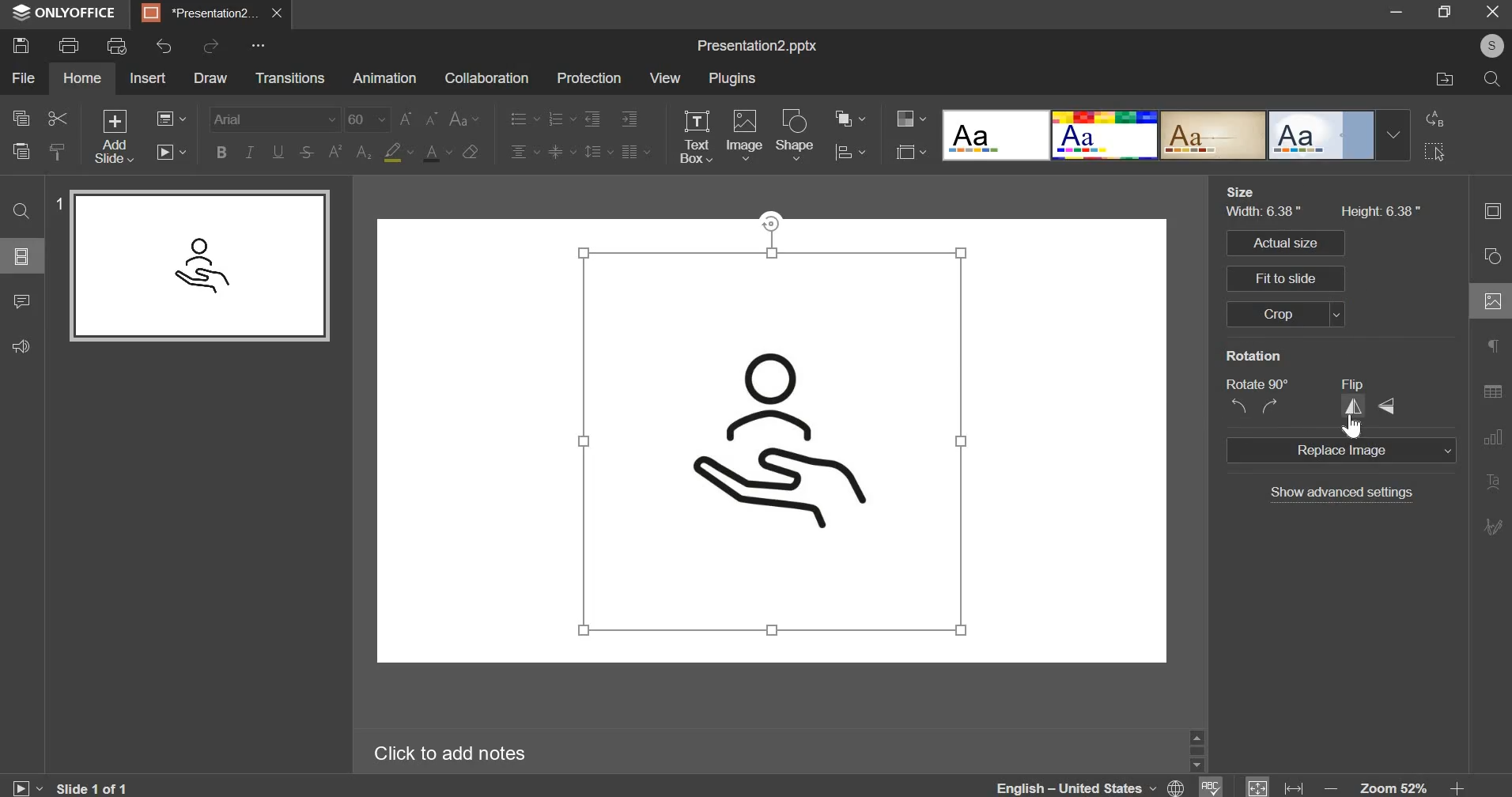 The image size is (1512, 797). What do you see at coordinates (1492, 211) in the screenshot?
I see `slide settings` at bounding box center [1492, 211].